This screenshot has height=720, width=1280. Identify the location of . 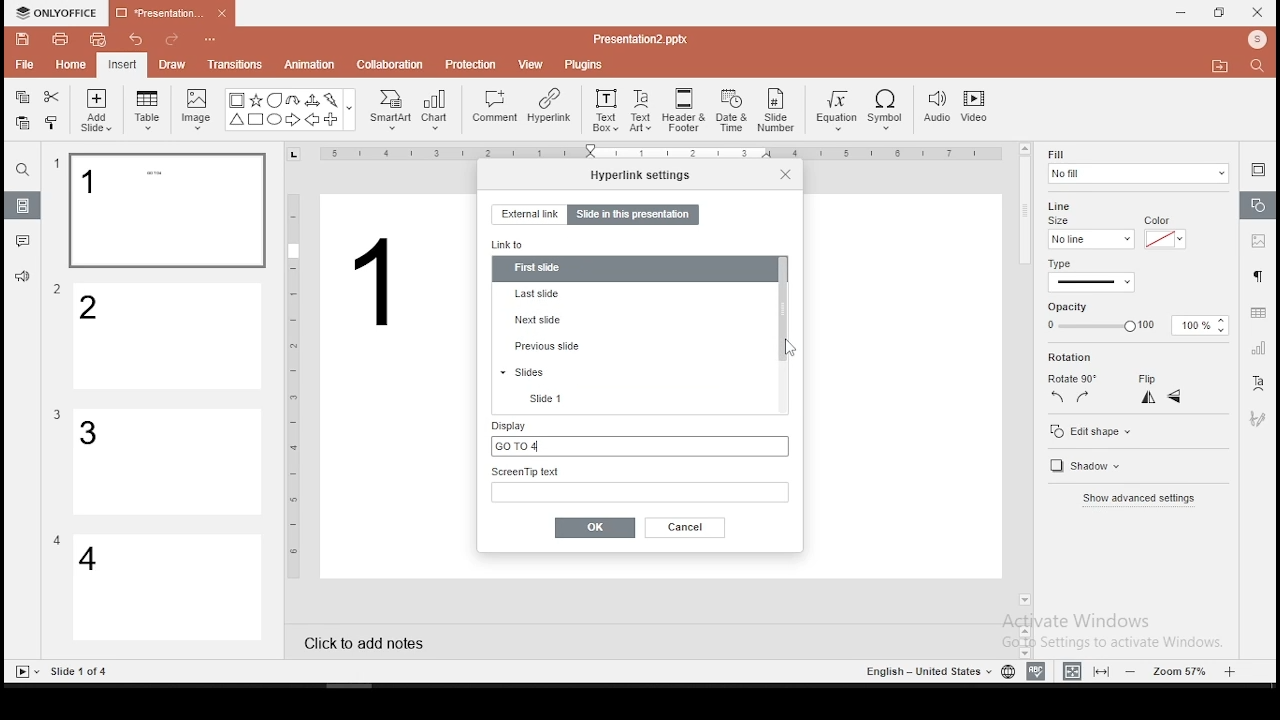
(640, 38).